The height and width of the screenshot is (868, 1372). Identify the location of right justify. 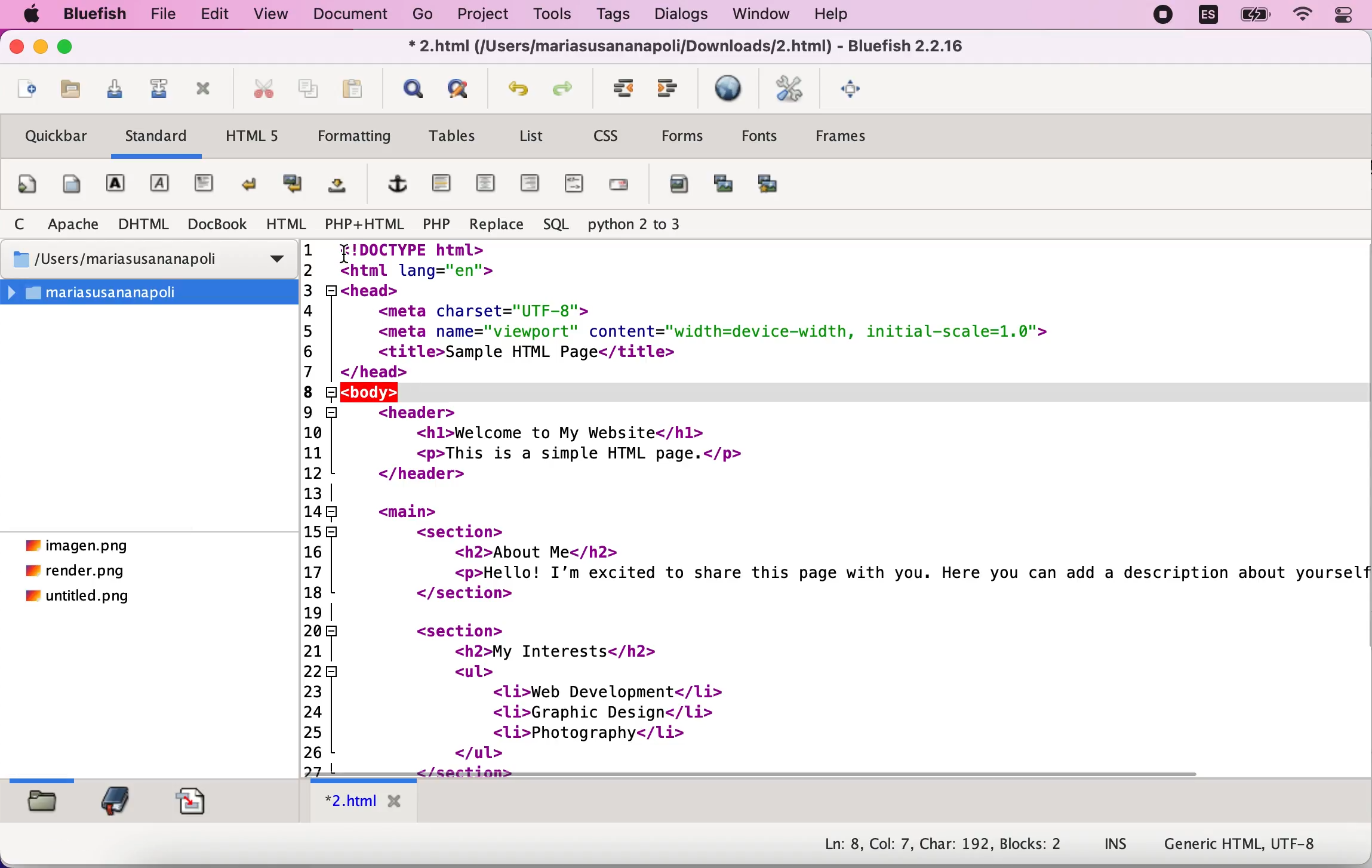
(530, 187).